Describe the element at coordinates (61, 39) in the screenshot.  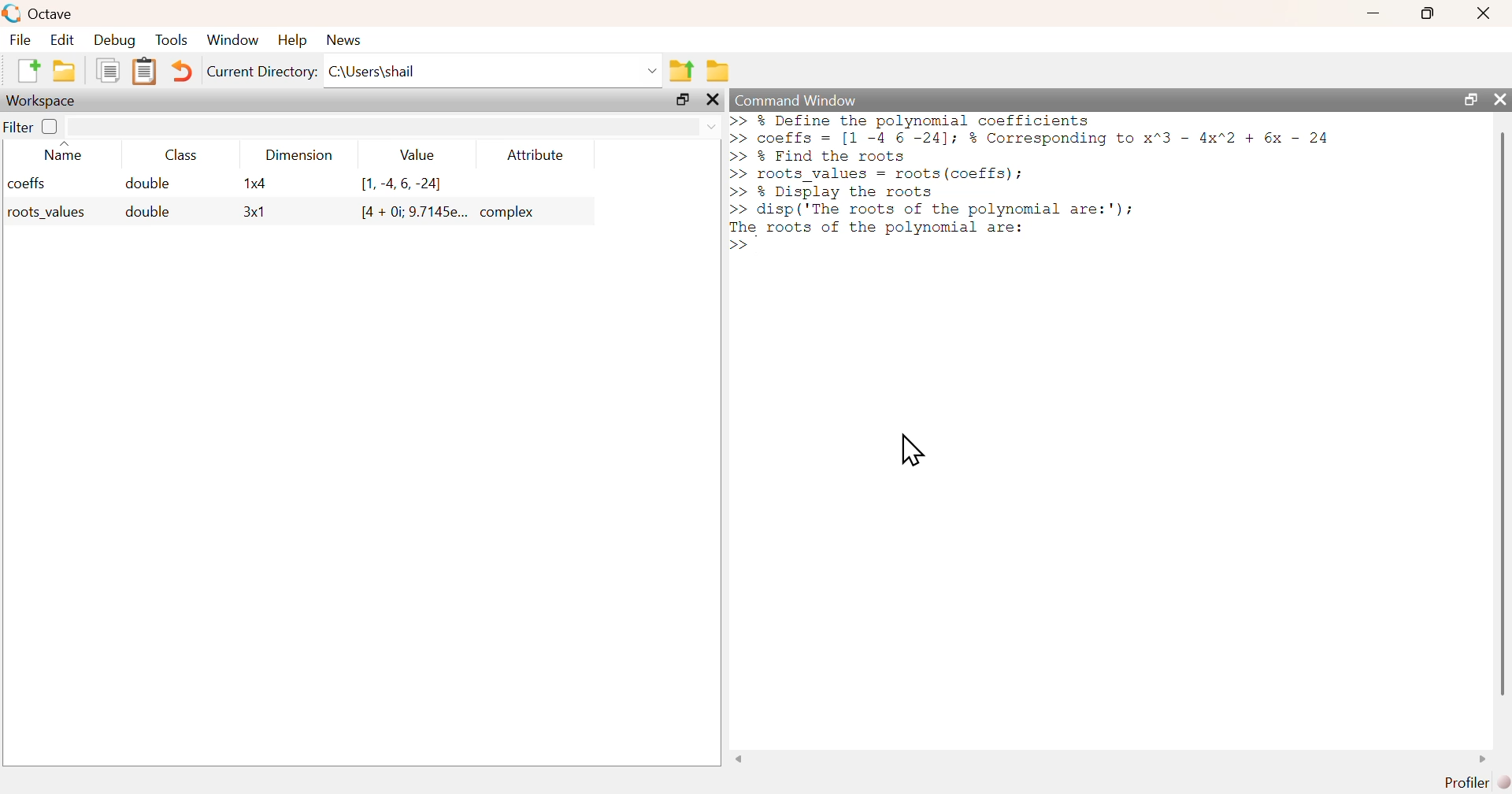
I see `Edit` at that location.